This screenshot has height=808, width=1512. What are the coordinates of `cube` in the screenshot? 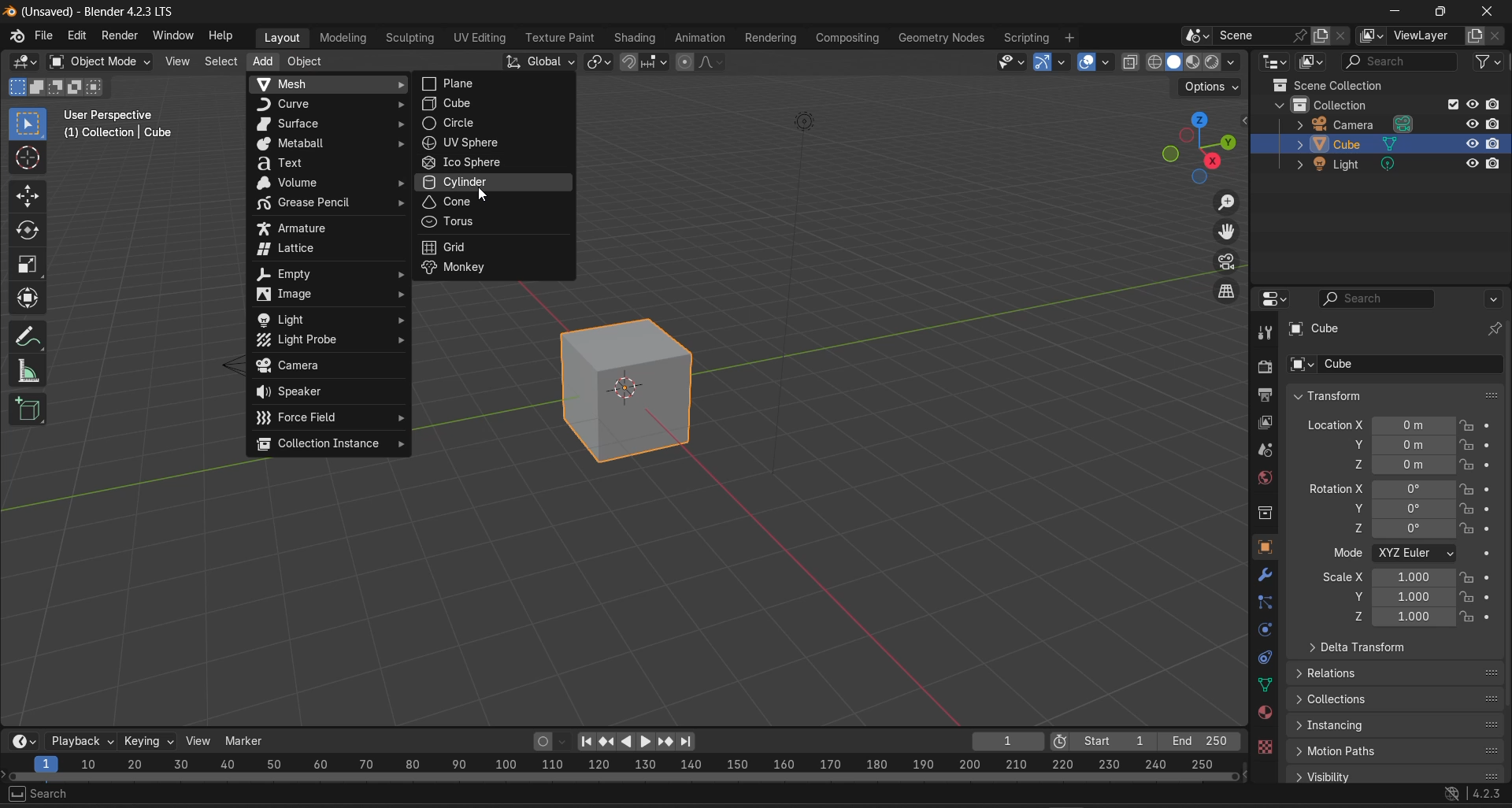 It's located at (1317, 329).